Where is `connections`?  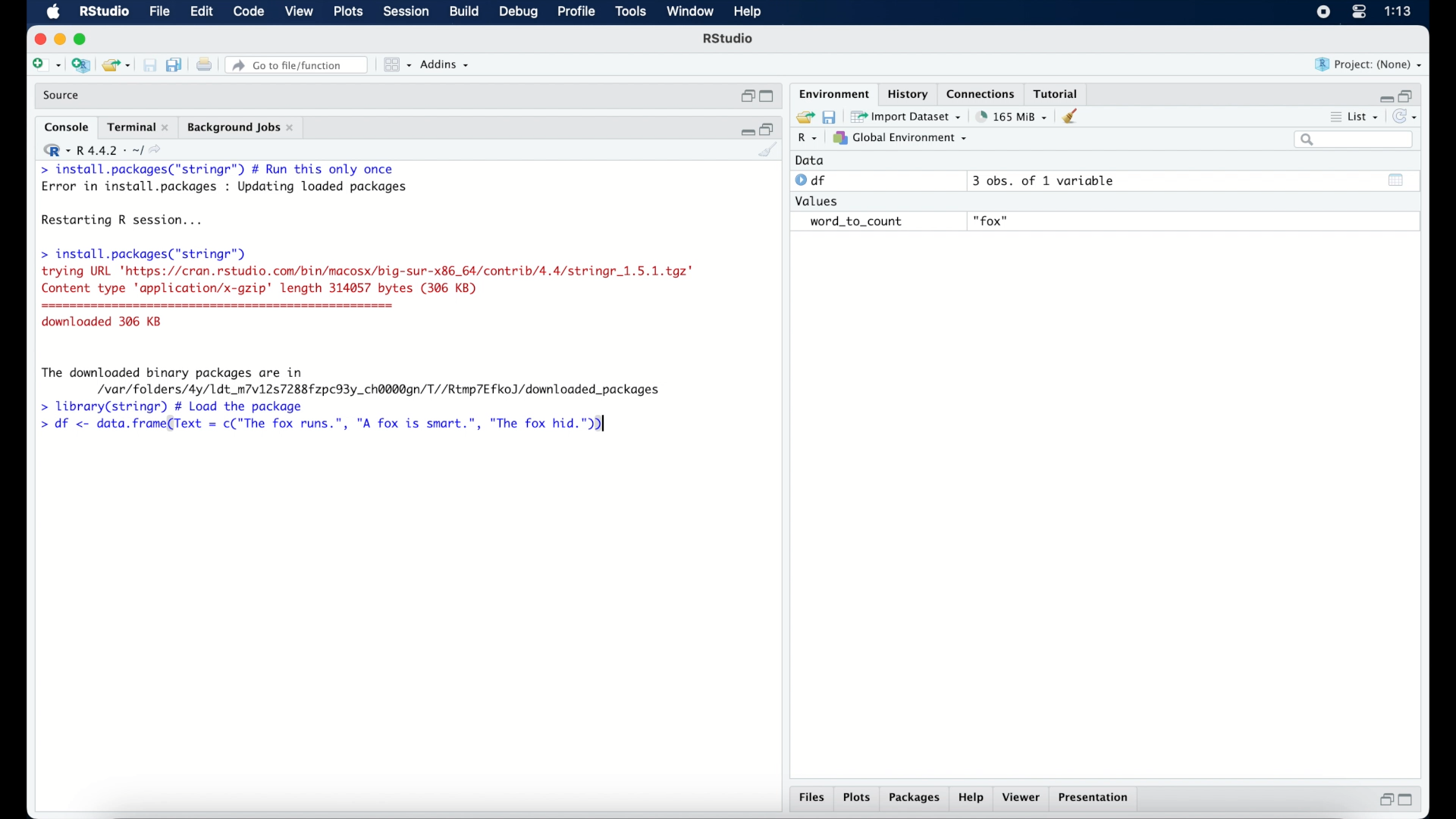 connections is located at coordinates (983, 93).